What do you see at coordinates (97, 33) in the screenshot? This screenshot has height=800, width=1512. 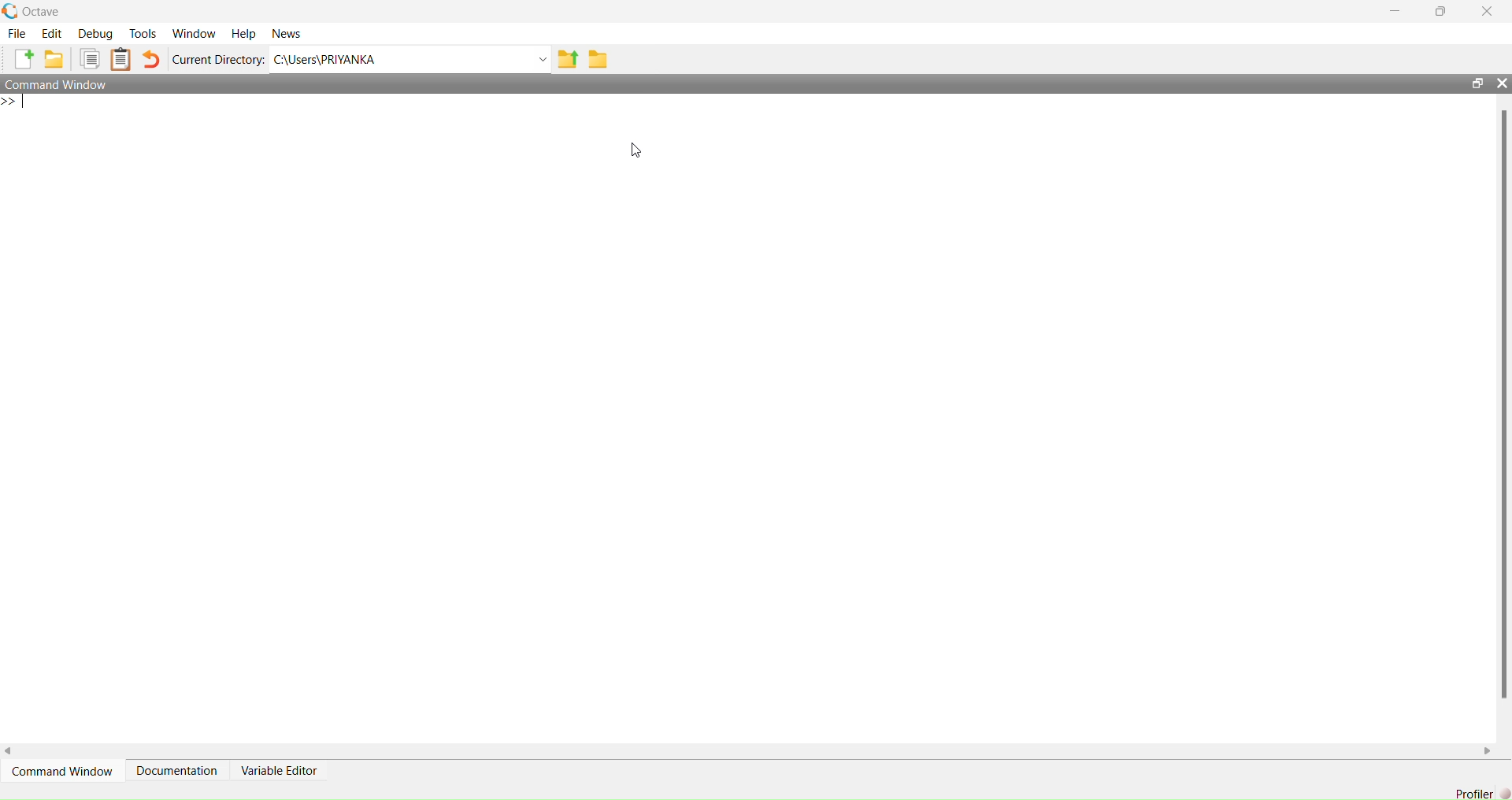 I see `Debug` at bounding box center [97, 33].